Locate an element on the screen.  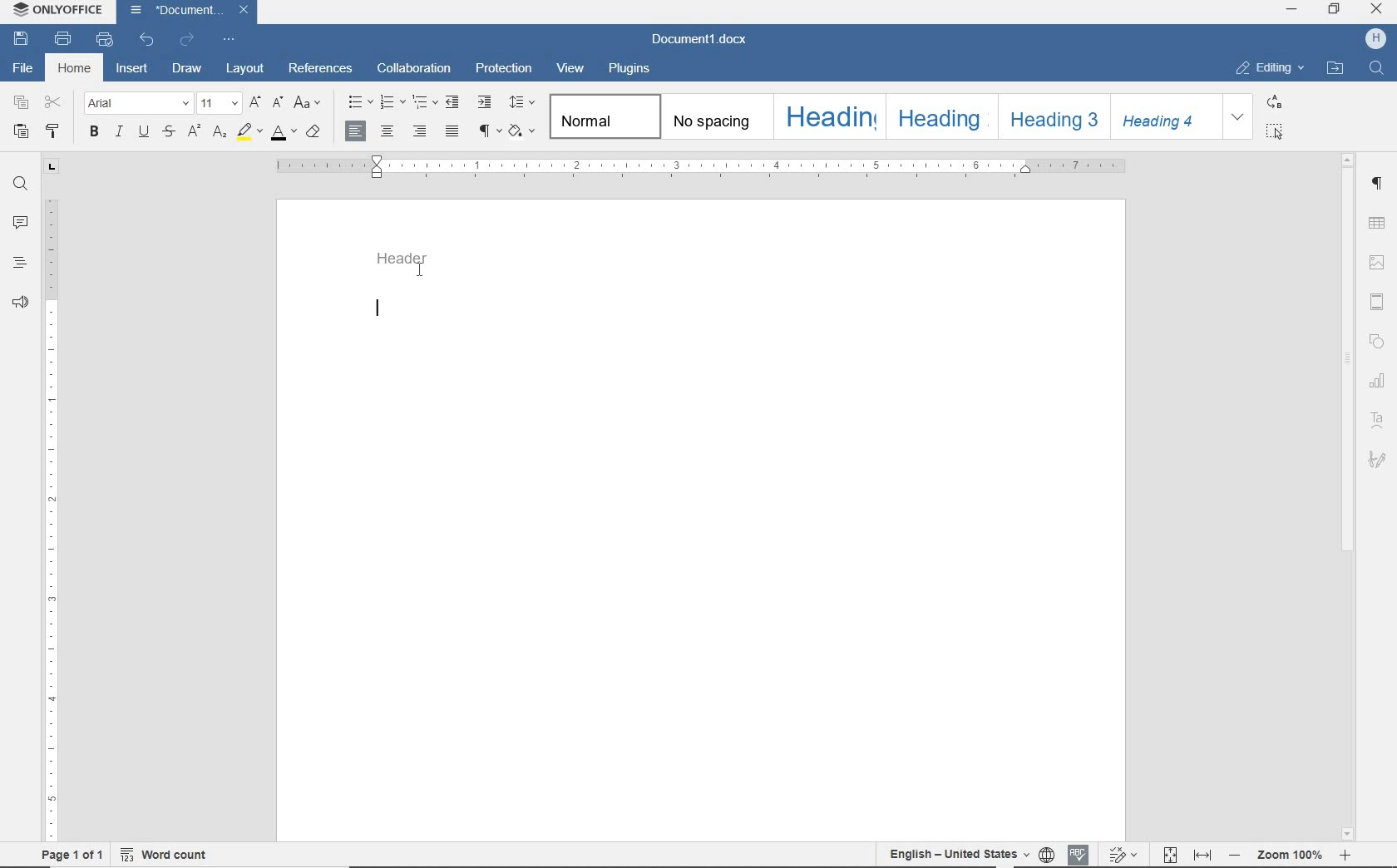
spellchecking is located at coordinates (1077, 854).